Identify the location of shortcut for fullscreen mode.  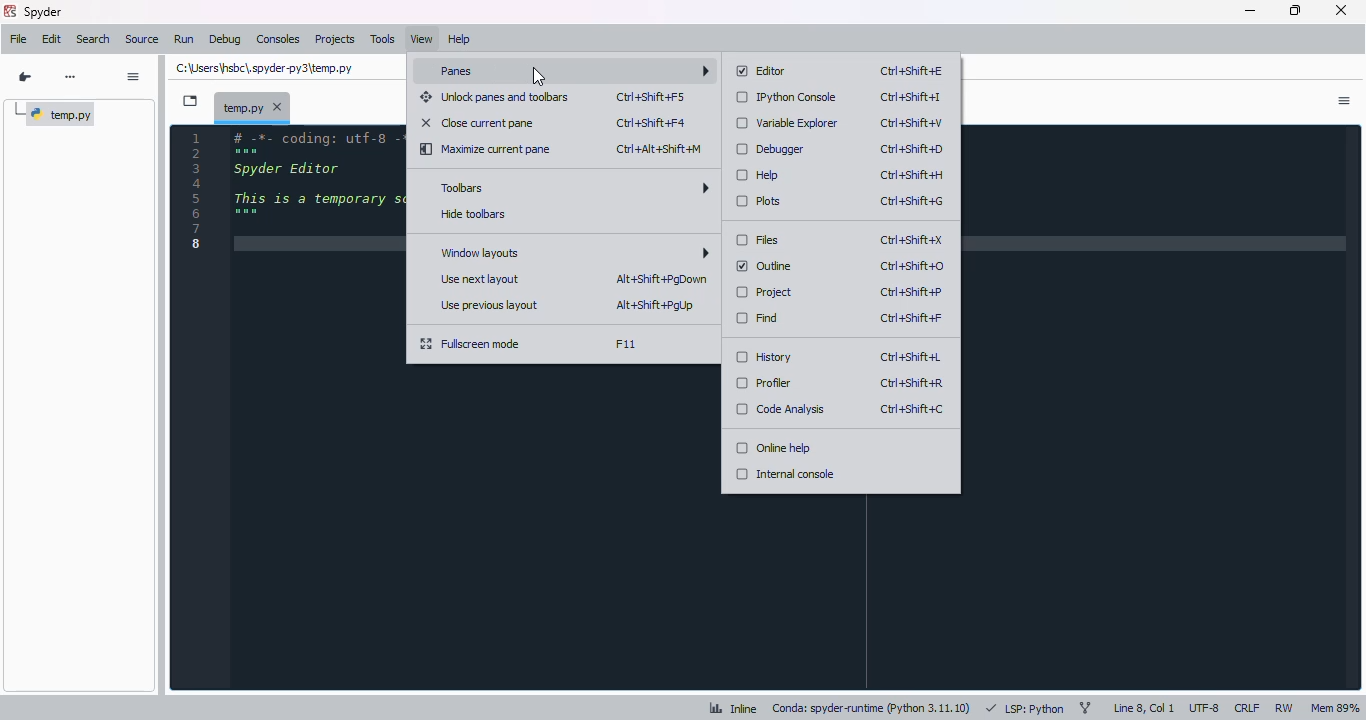
(625, 344).